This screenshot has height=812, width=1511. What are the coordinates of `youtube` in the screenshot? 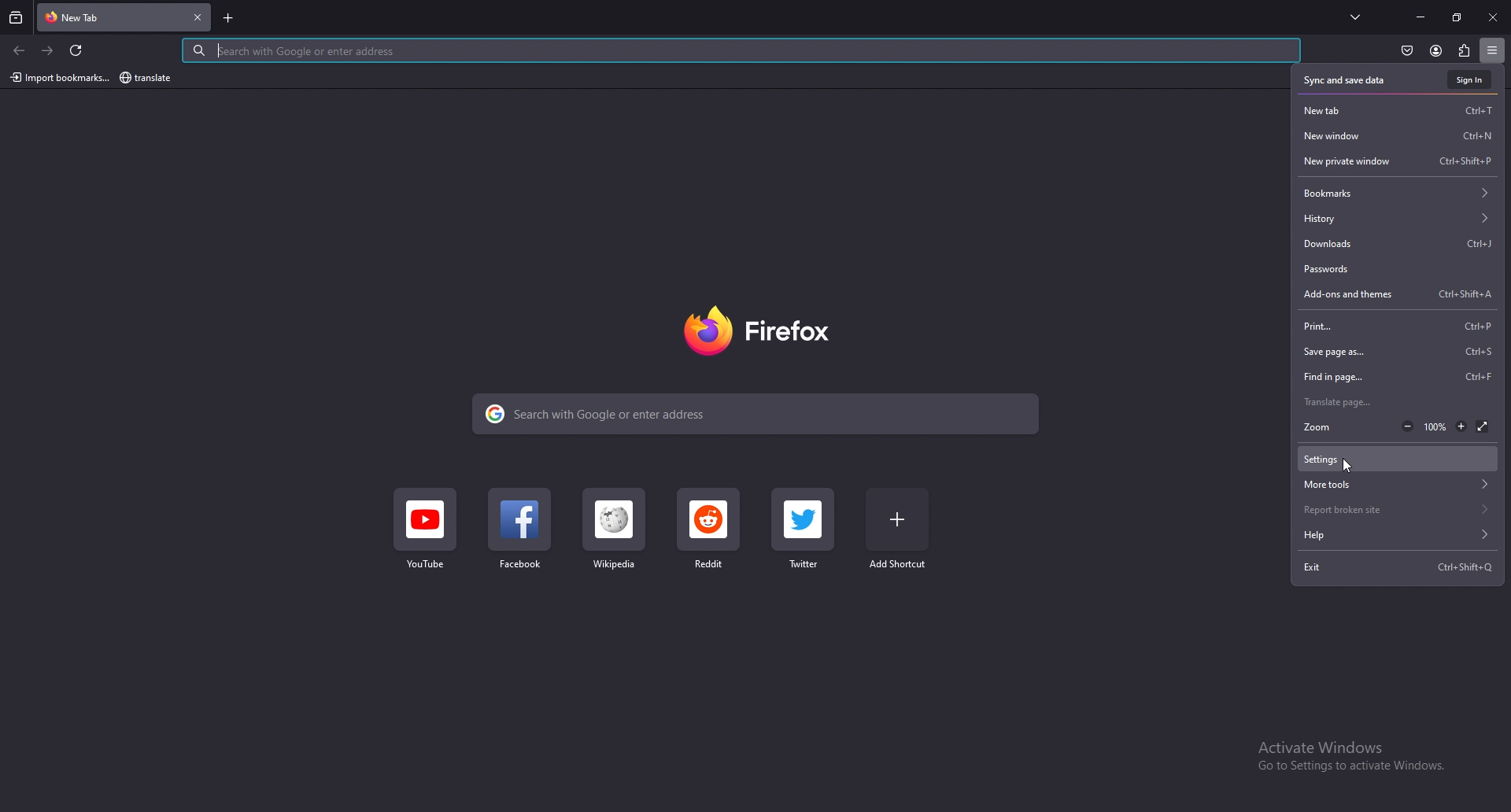 It's located at (426, 535).